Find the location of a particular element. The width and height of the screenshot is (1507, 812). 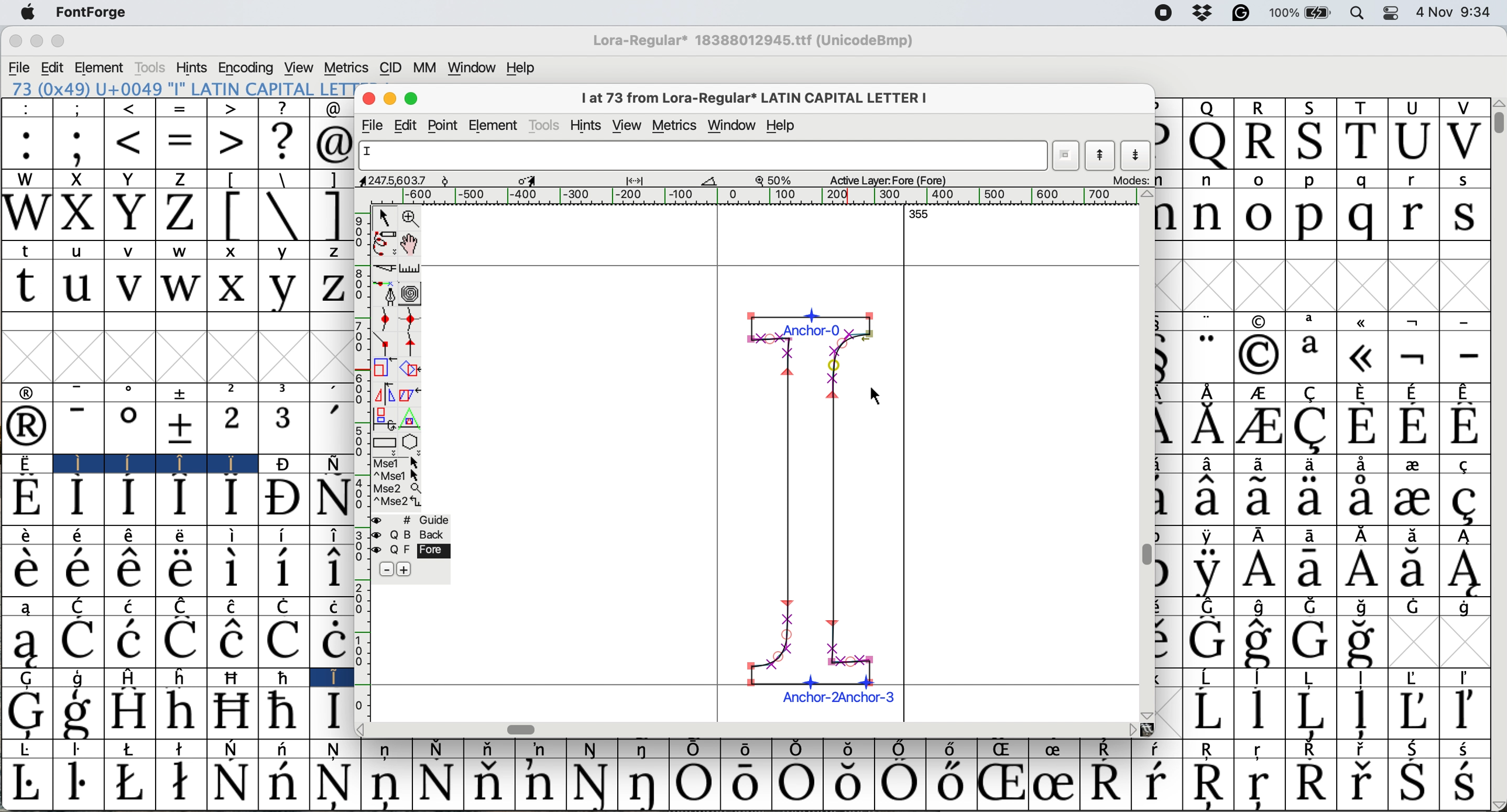

- is located at coordinates (80, 391).